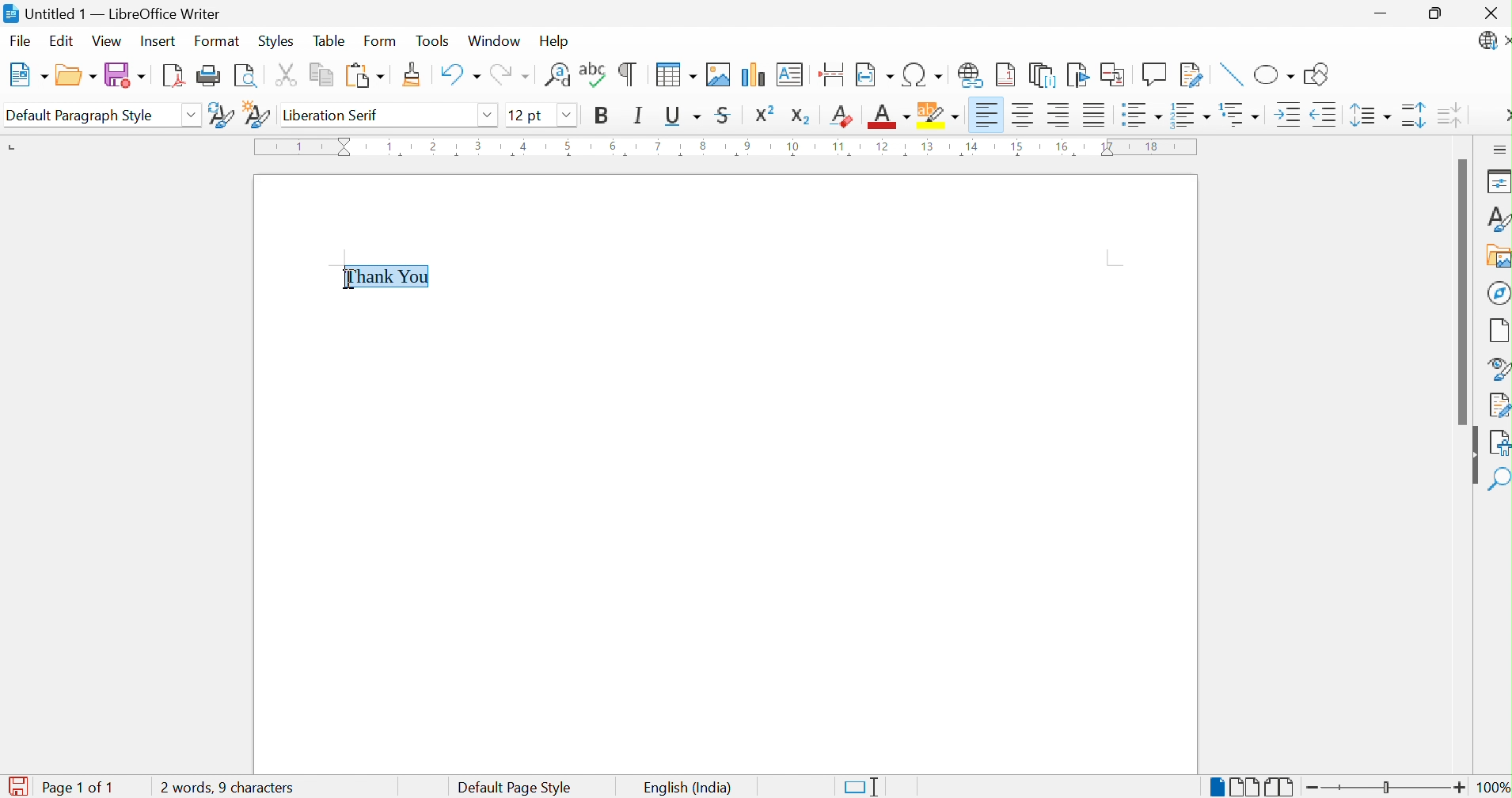 The width and height of the screenshot is (1512, 798). Describe the element at coordinates (192, 113) in the screenshot. I see `Drop Down` at that location.